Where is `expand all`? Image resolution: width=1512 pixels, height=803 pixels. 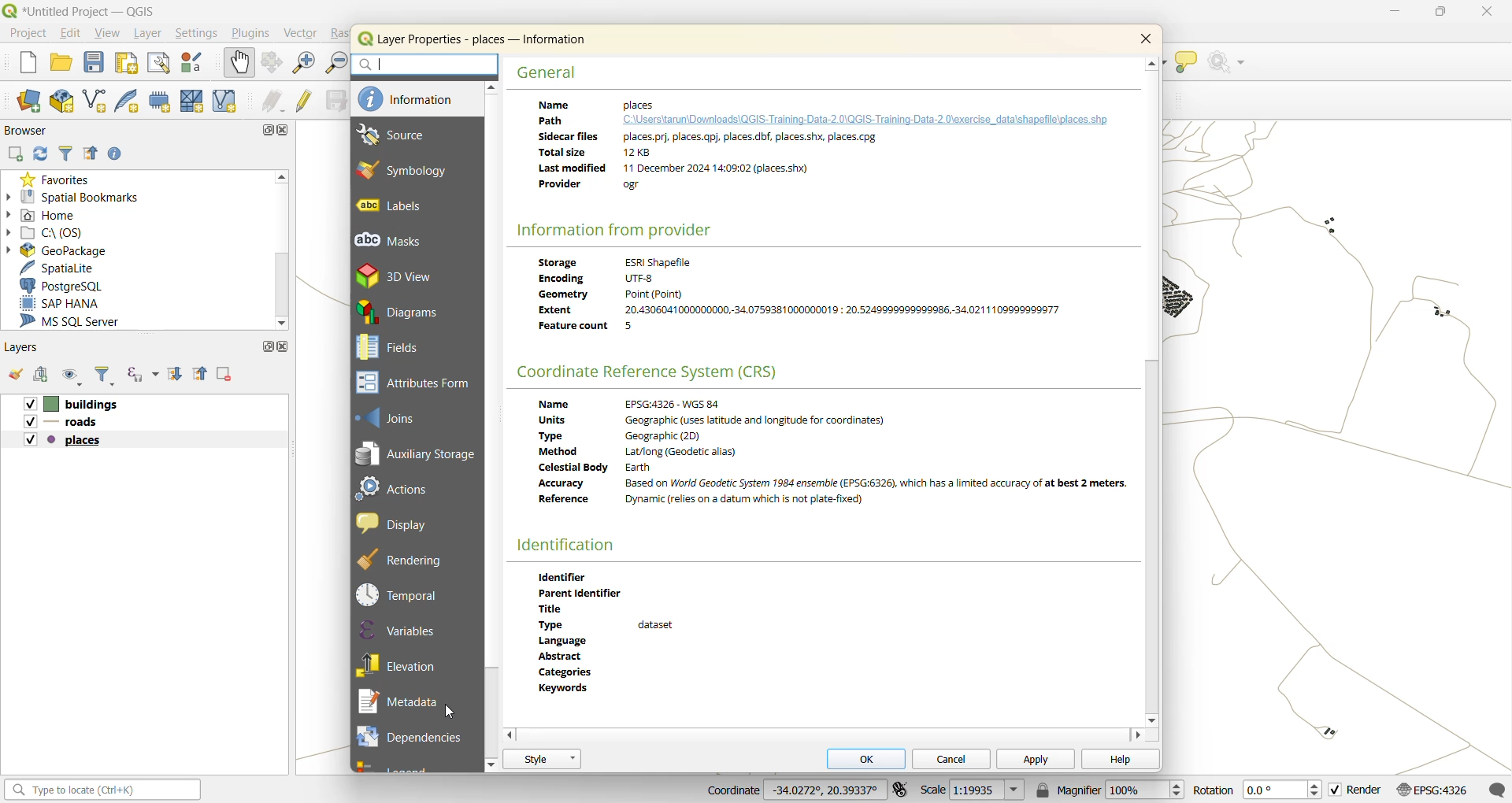
expand all is located at coordinates (177, 375).